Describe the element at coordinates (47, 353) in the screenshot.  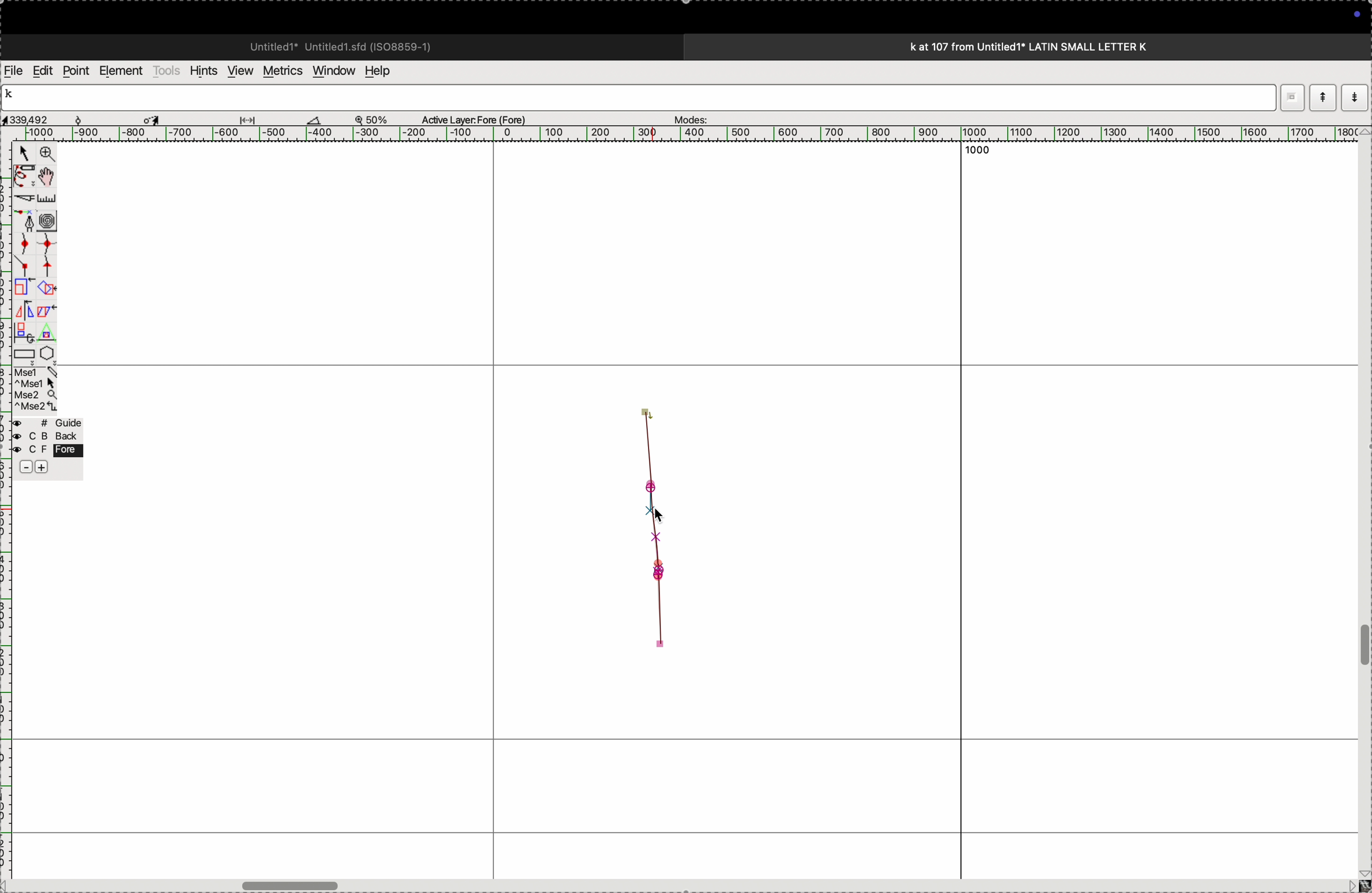
I see `polygon` at that location.